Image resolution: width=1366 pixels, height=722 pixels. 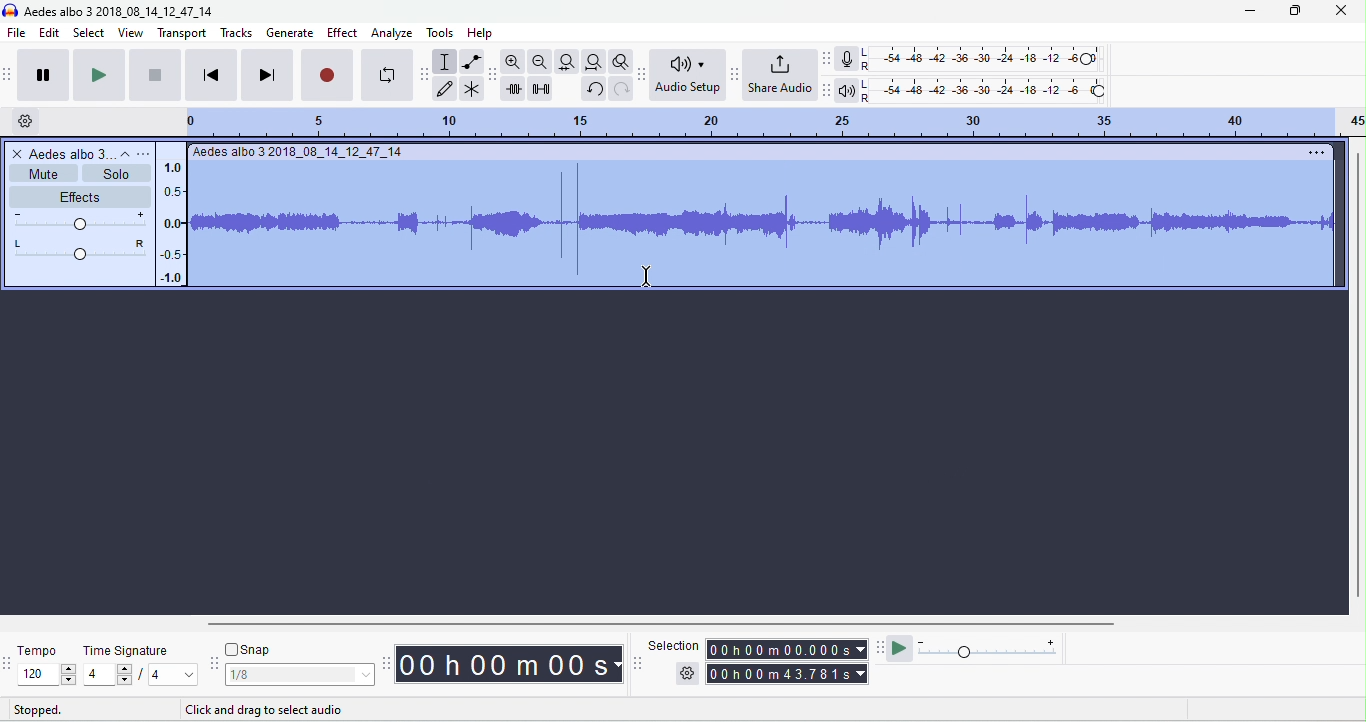 What do you see at coordinates (596, 89) in the screenshot?
I see `undo` at bounding box center [596, 89].